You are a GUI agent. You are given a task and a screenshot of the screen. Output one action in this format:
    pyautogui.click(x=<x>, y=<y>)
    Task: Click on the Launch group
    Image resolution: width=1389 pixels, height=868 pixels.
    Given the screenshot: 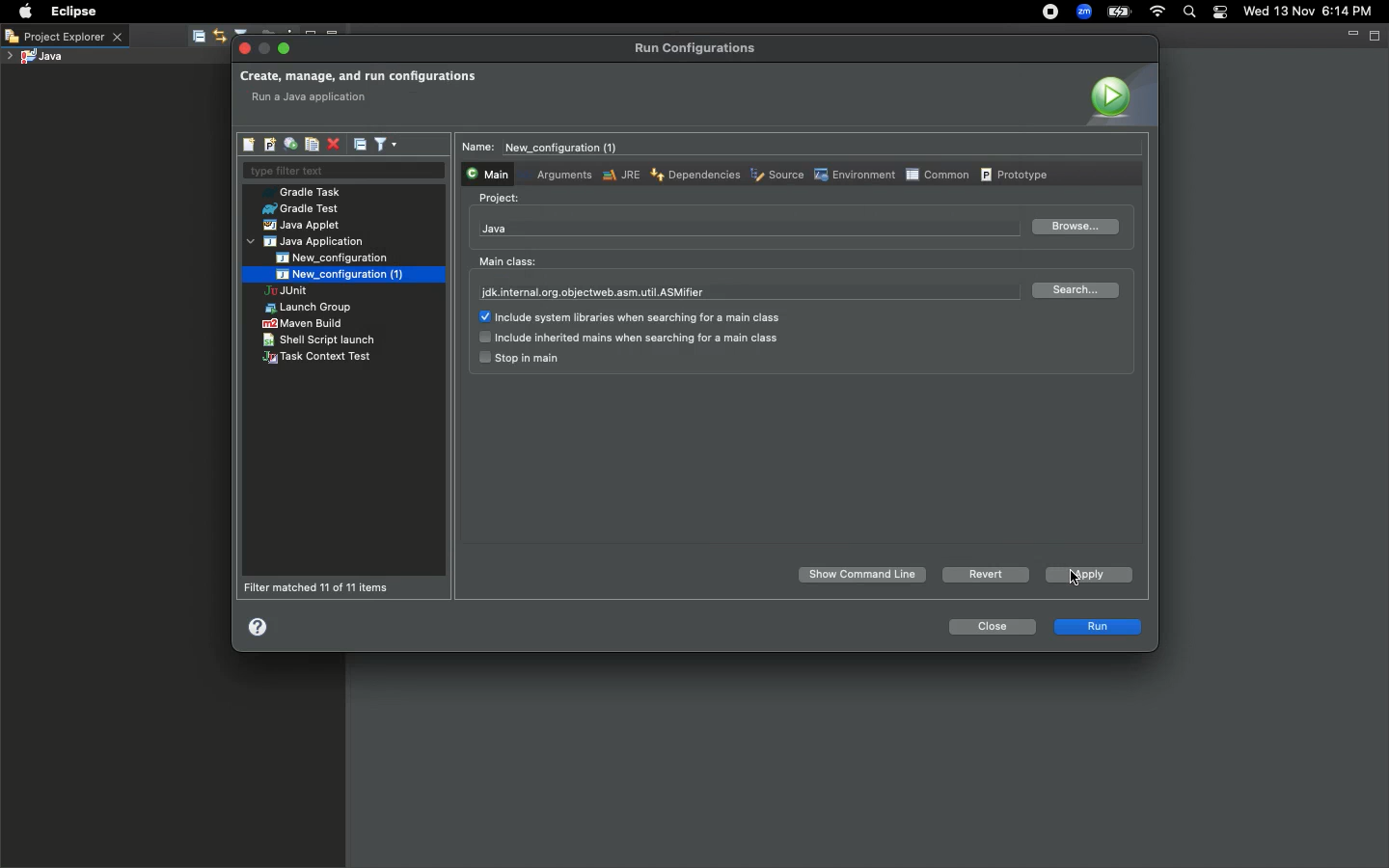 What is the action you would take?
    pyautogui.click(x=311, y=308)
    